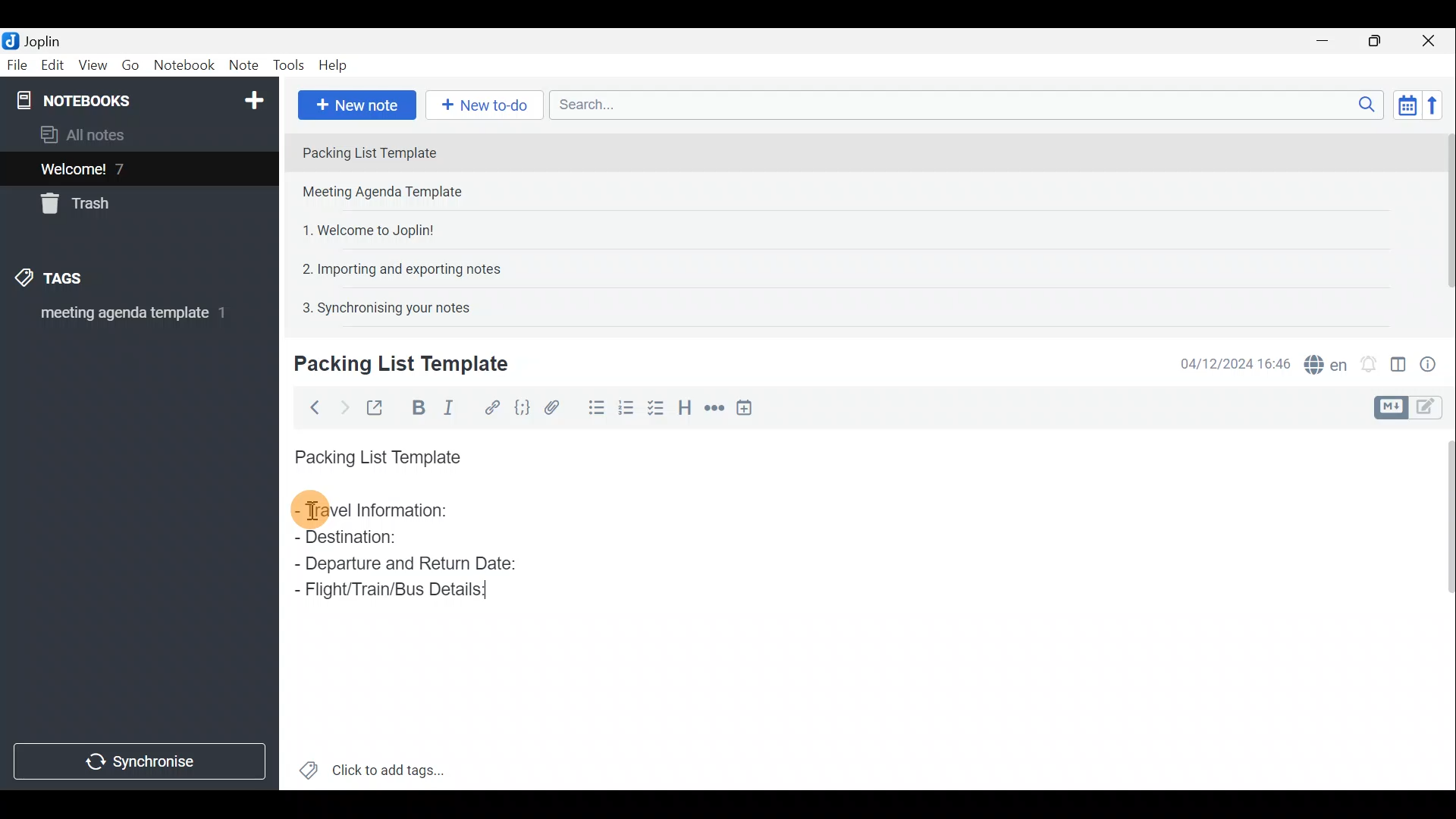 The width and height of the screenshot is (1456, 819). What do you see at coordinates (392, 365) in the screenshot?
I see `Creating new note` at bounding box center [392, 365].